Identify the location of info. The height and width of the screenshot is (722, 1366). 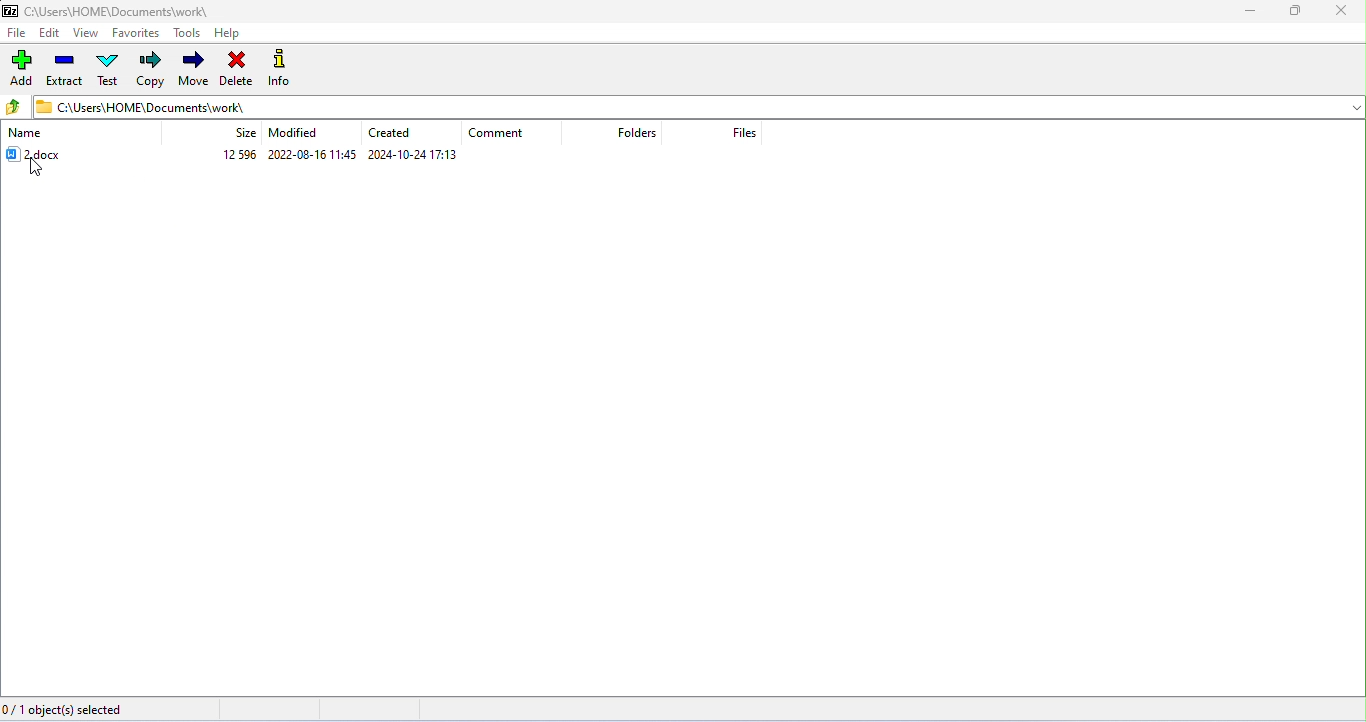
(281, 68).